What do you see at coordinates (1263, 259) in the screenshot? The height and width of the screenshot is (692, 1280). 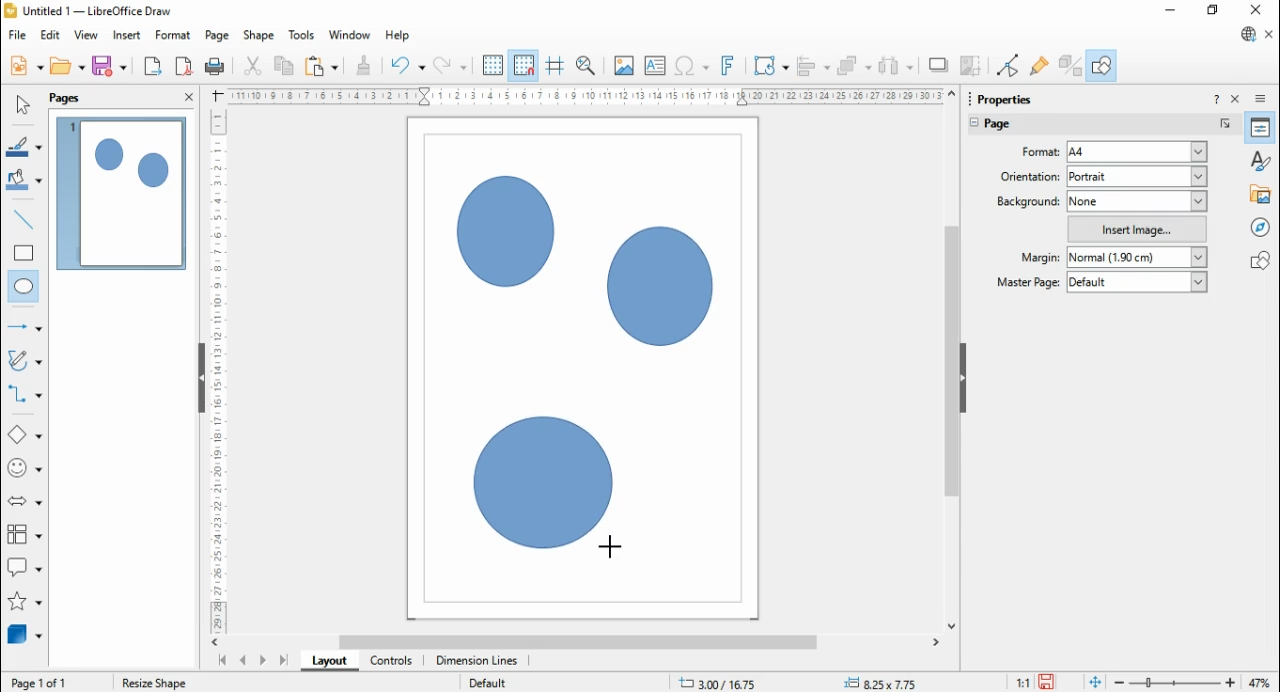 I see `shapes` at bounding box center [1263, 259].